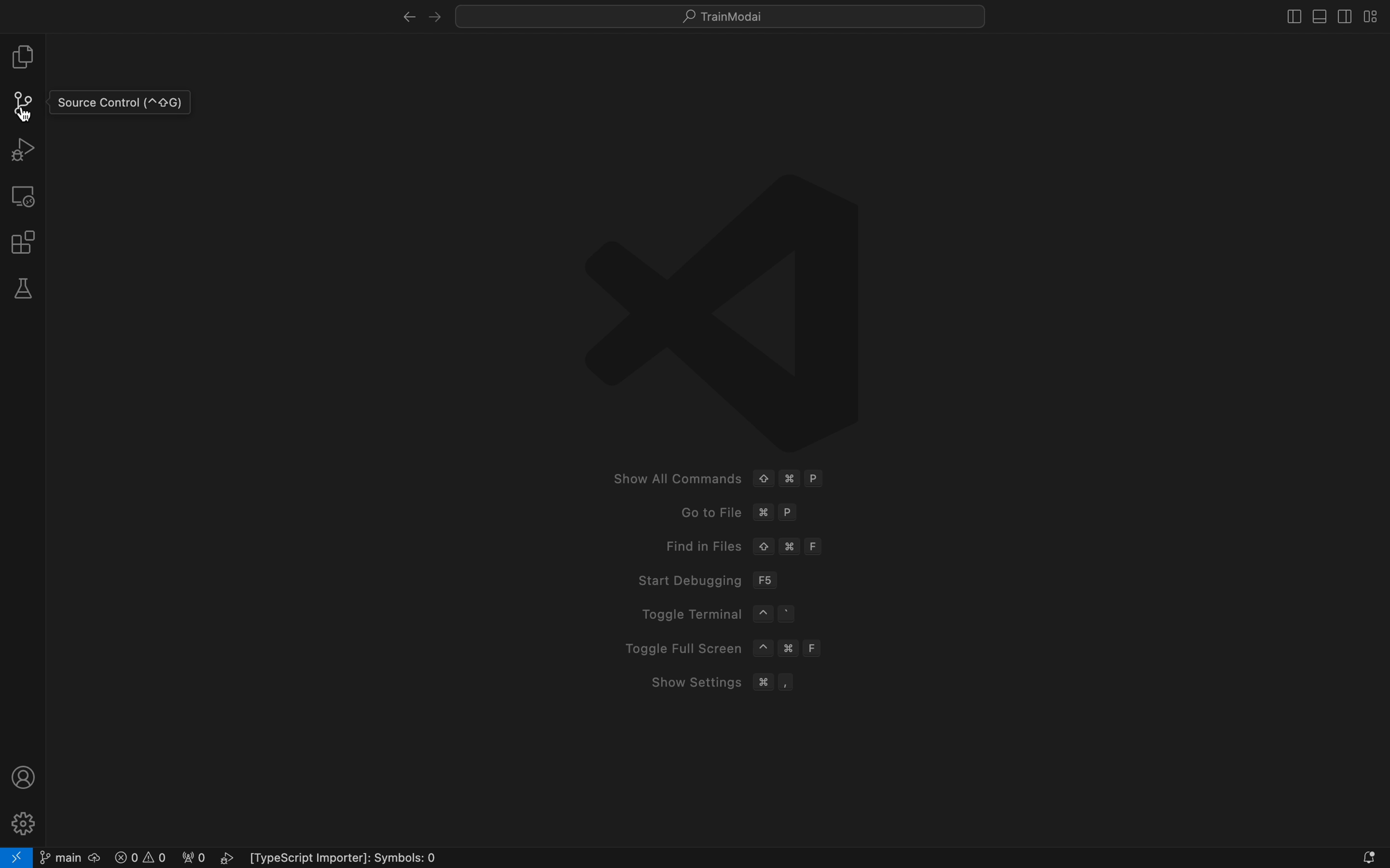  Describe the element at coordinates (1289, 14) in the screenshot. I see `toggle bar` at that location.